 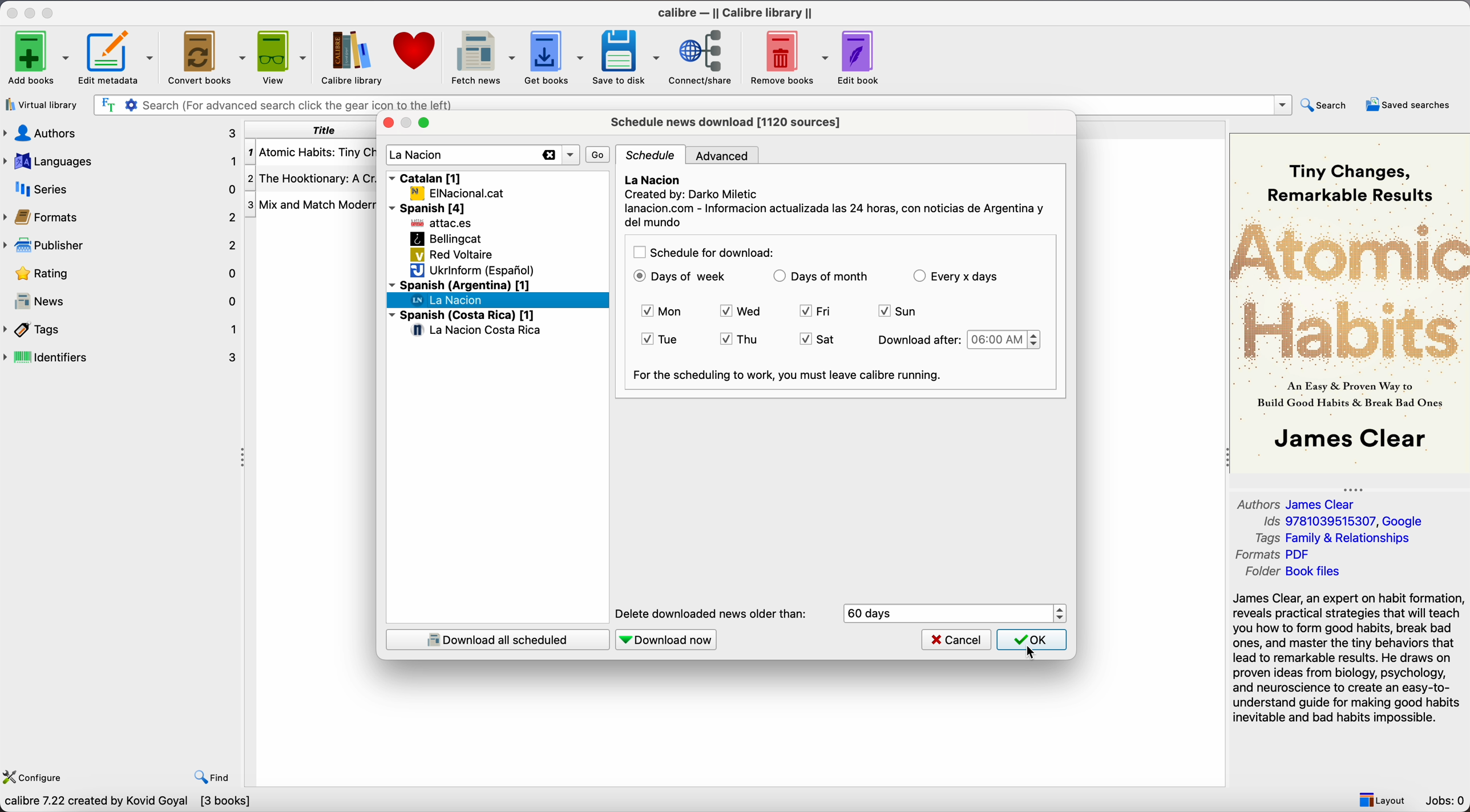 I want to click on advanced, so click(x=726, y=155).